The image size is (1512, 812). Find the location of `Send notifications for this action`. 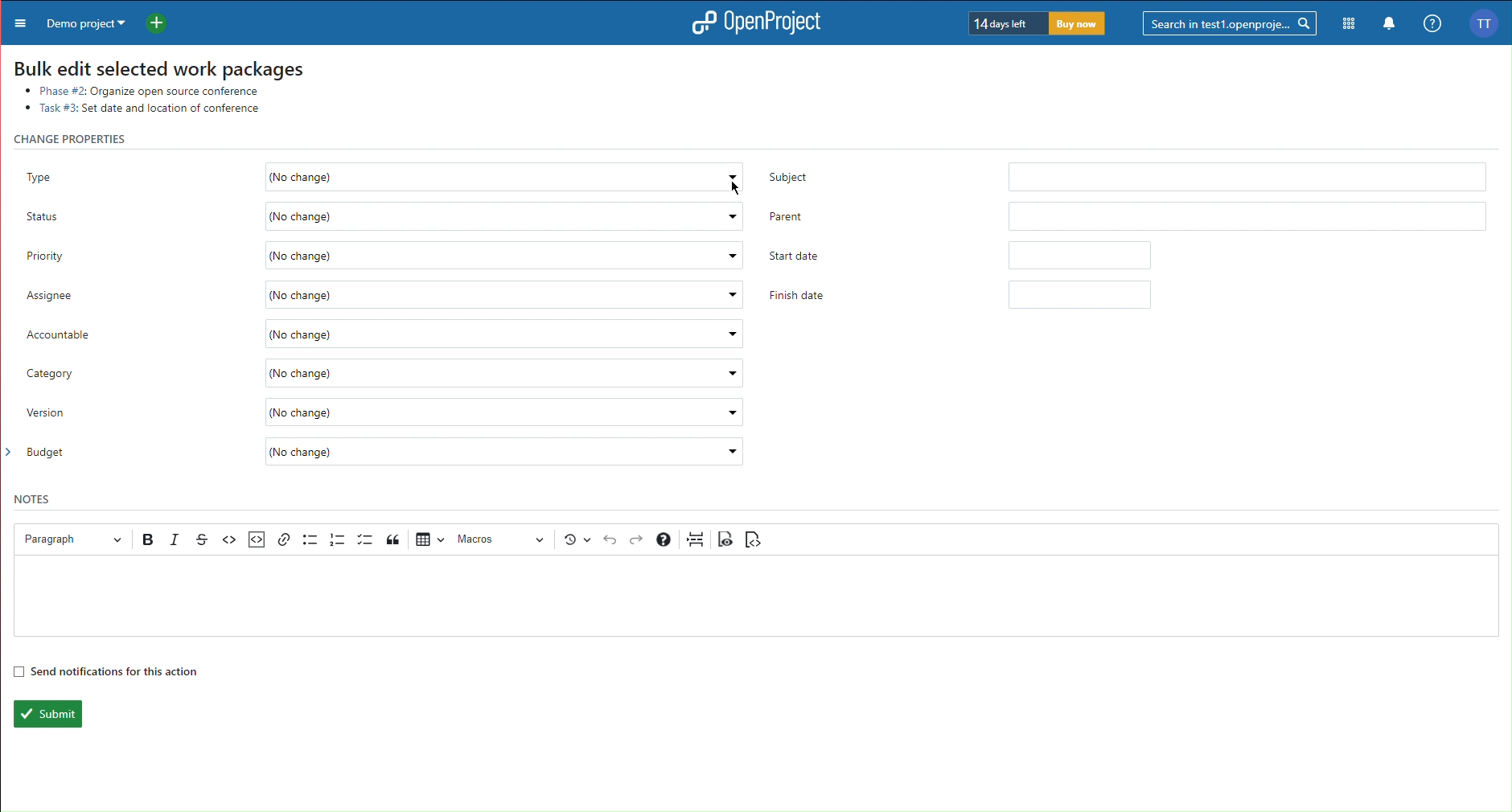

Send notifications for this action is located at coordinates (105, 671).